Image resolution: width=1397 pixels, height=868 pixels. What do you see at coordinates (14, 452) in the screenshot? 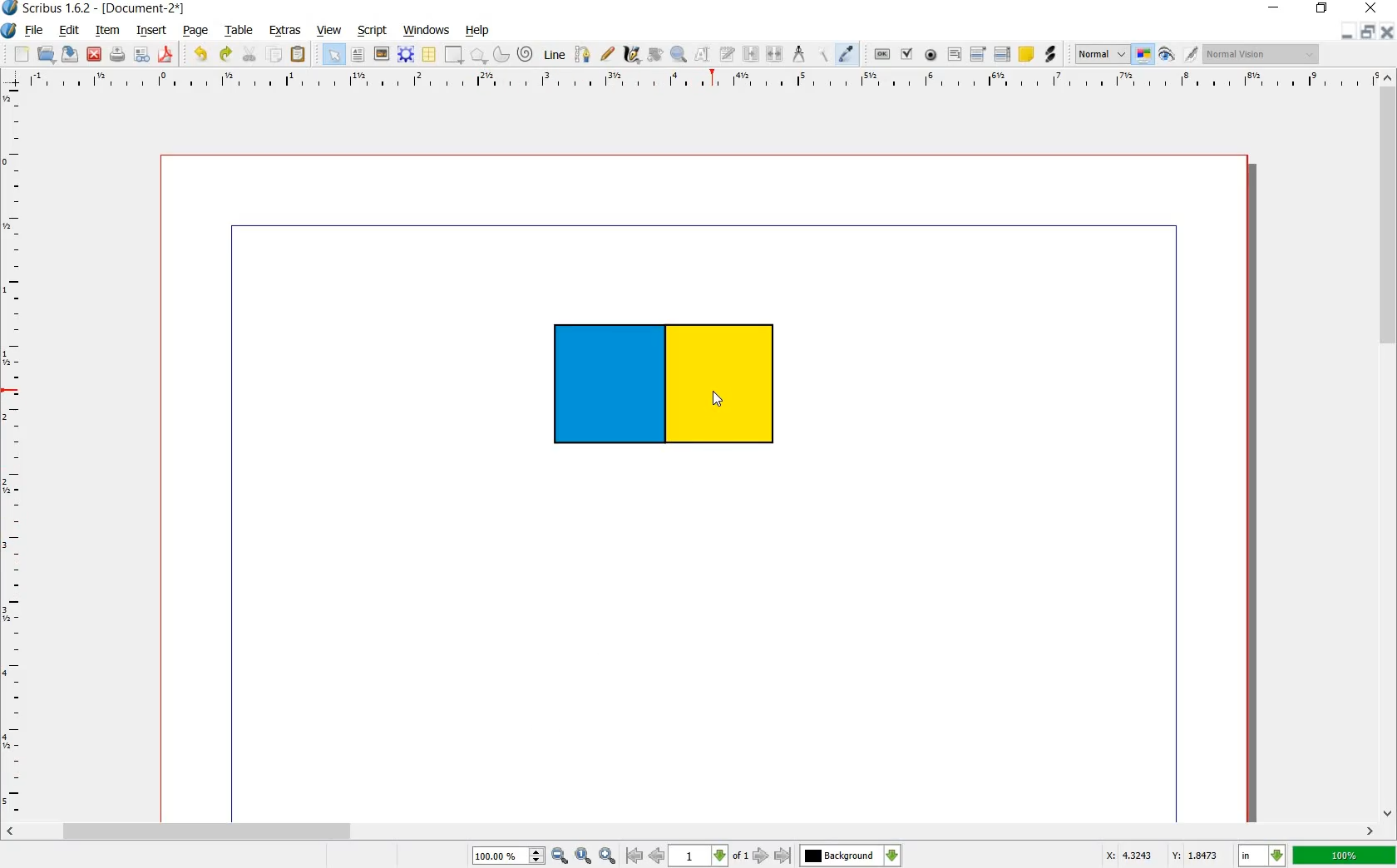
I see `ruler` at bounding box center [14, 452].